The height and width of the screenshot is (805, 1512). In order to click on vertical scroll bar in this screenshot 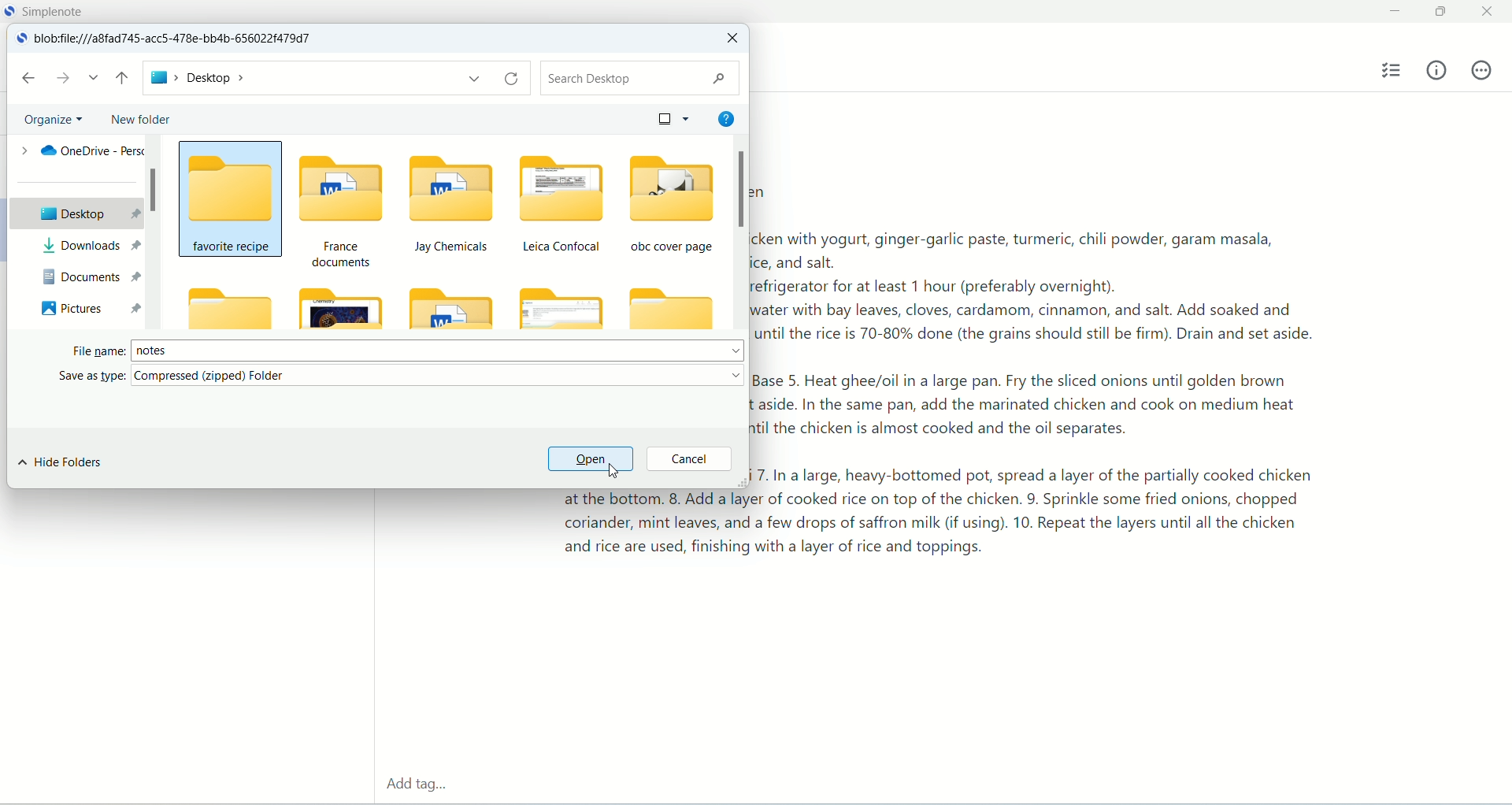, I will do `click(154, 233)`.